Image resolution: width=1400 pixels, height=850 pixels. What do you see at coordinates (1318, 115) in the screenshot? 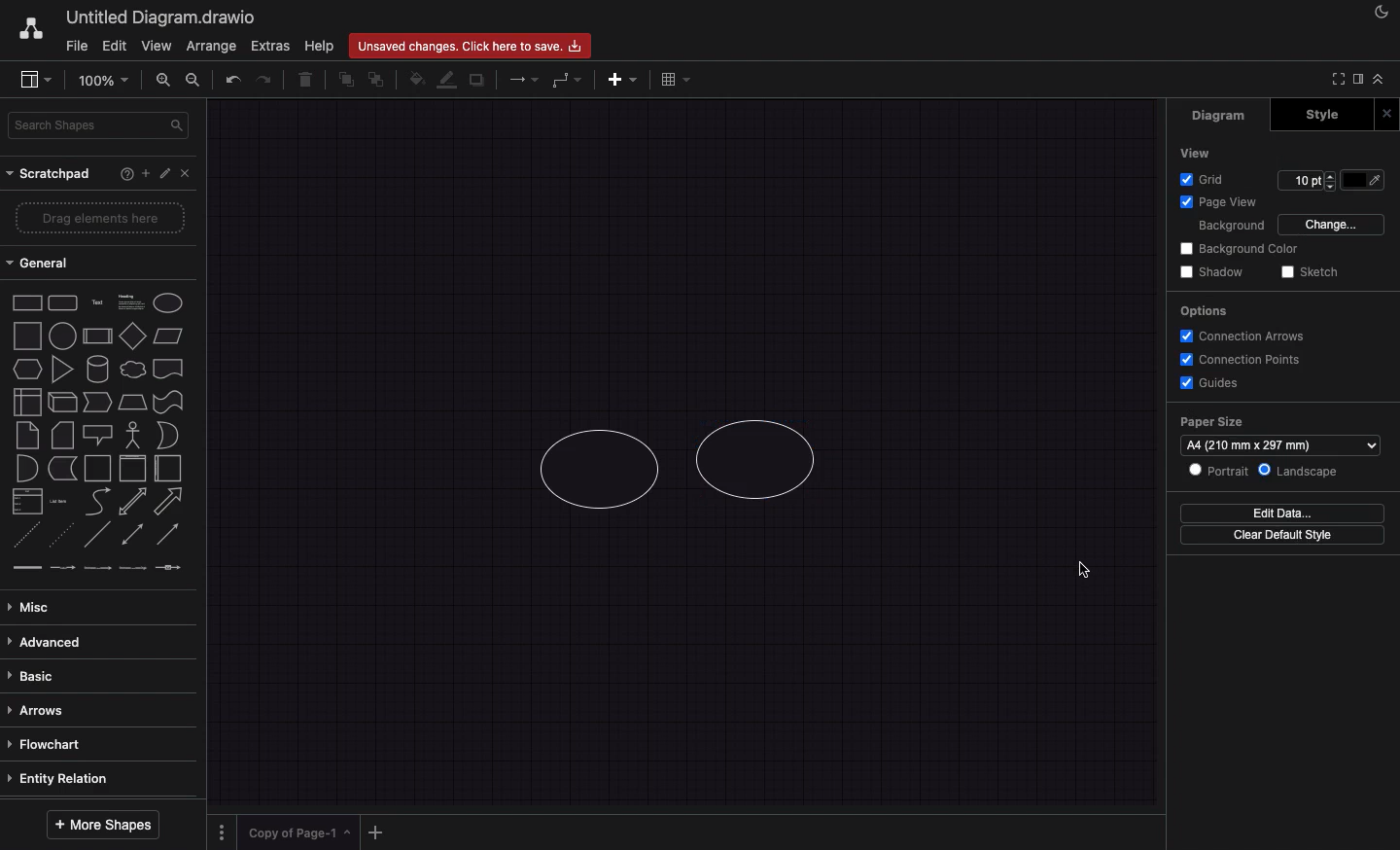
I see `style` at bounding box center [1318, 115].